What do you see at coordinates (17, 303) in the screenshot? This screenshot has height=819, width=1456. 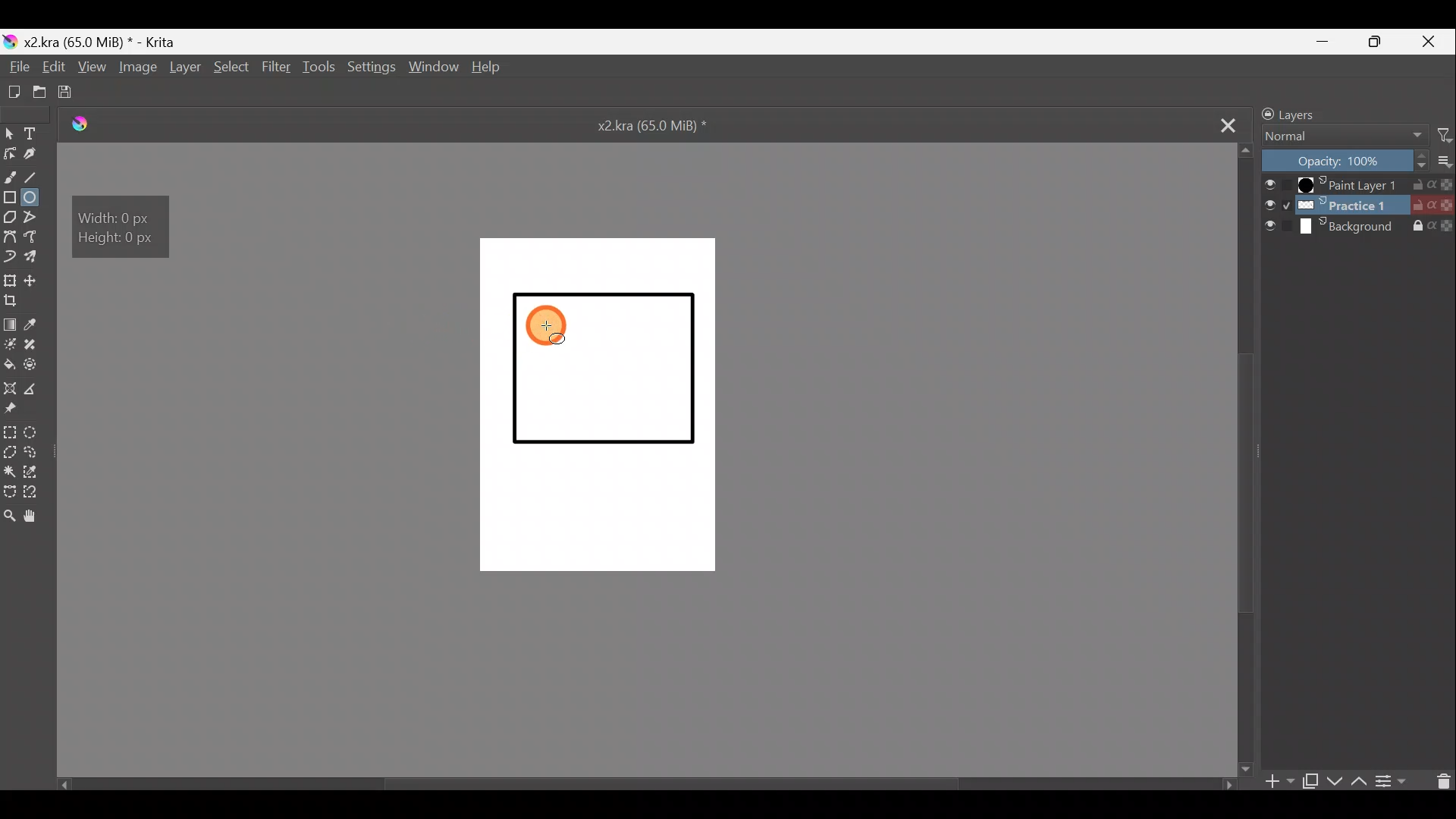 I see `Crop image to an area` at bounding box center [17, 303].